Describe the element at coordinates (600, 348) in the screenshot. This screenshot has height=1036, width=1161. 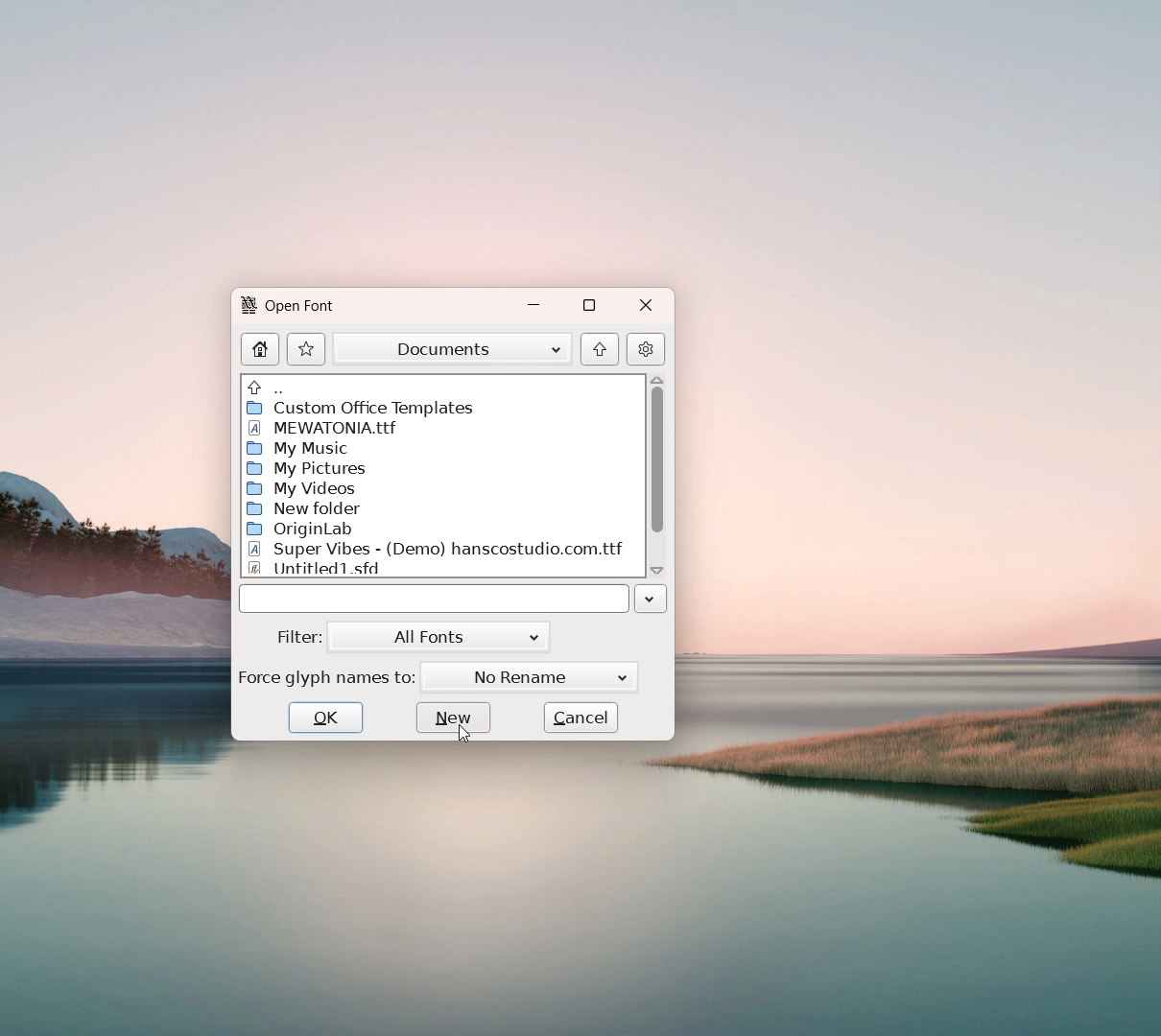
I see `go to originating folder` at that location.